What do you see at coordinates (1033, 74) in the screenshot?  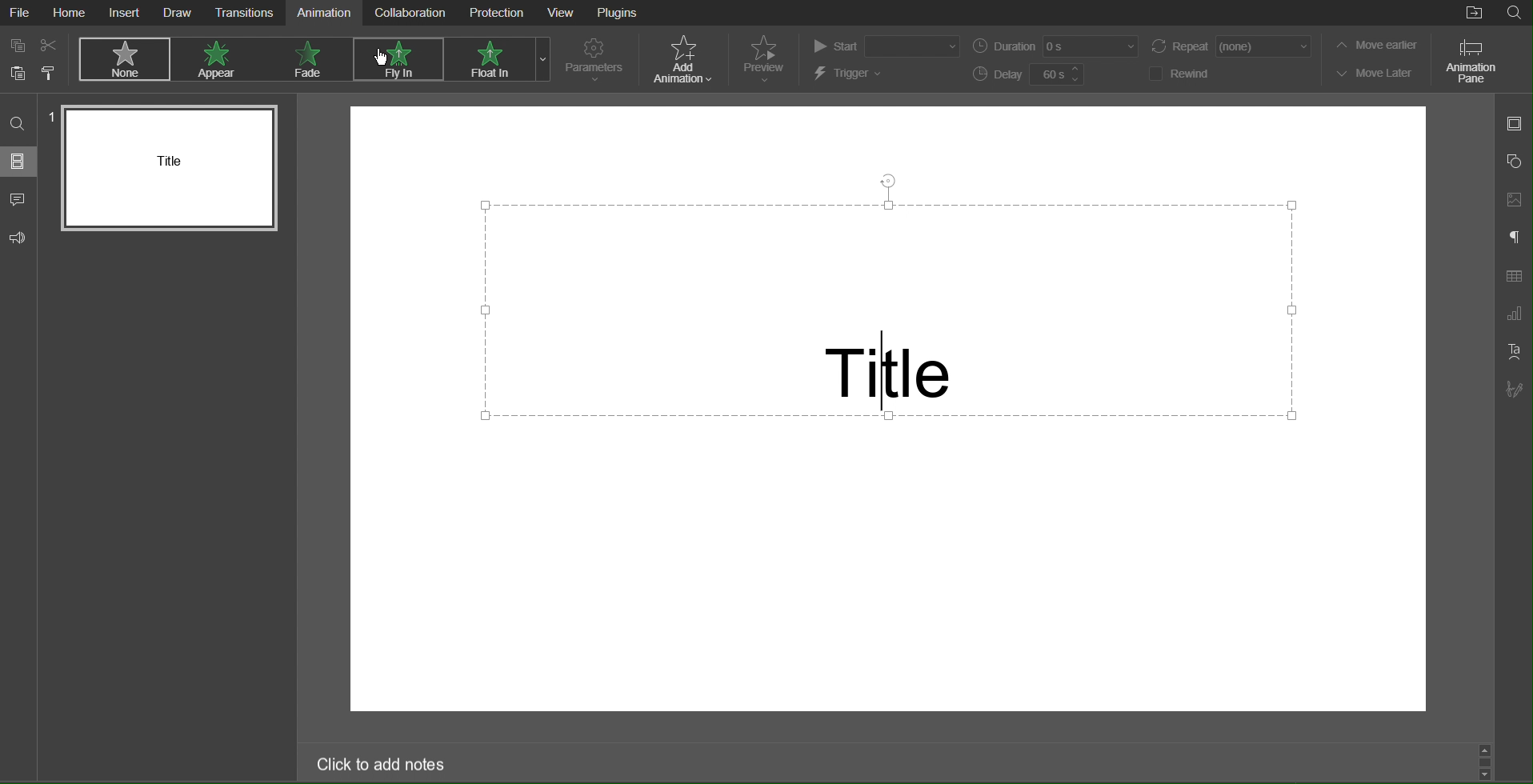 I see `Delay` at bounding box center [1033, 74].